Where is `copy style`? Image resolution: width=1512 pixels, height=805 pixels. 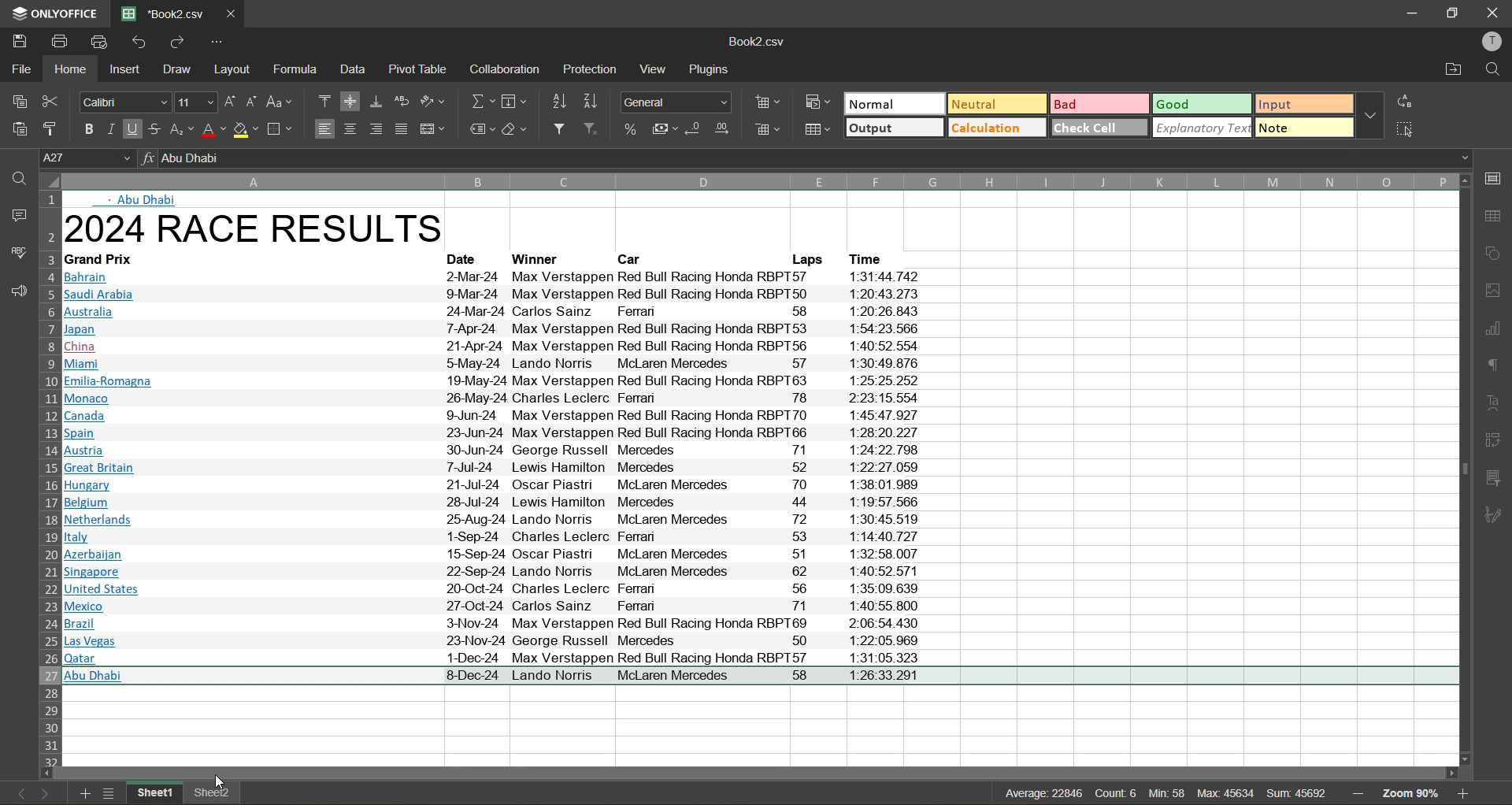 copy style is located at coordinates (55, 128).